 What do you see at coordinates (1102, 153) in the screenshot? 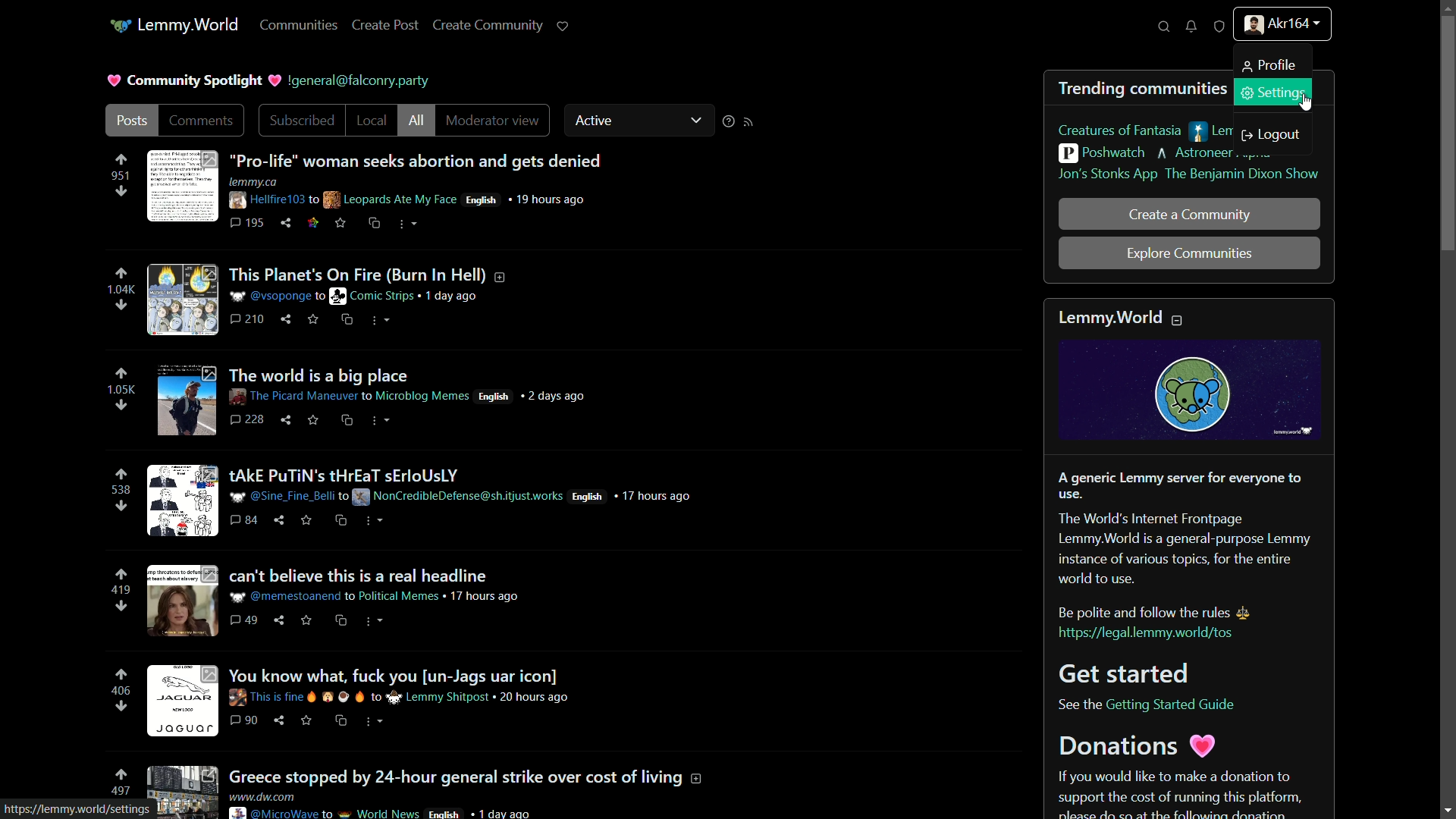
I see `poshwatch` at bounding box center [1102, 153].